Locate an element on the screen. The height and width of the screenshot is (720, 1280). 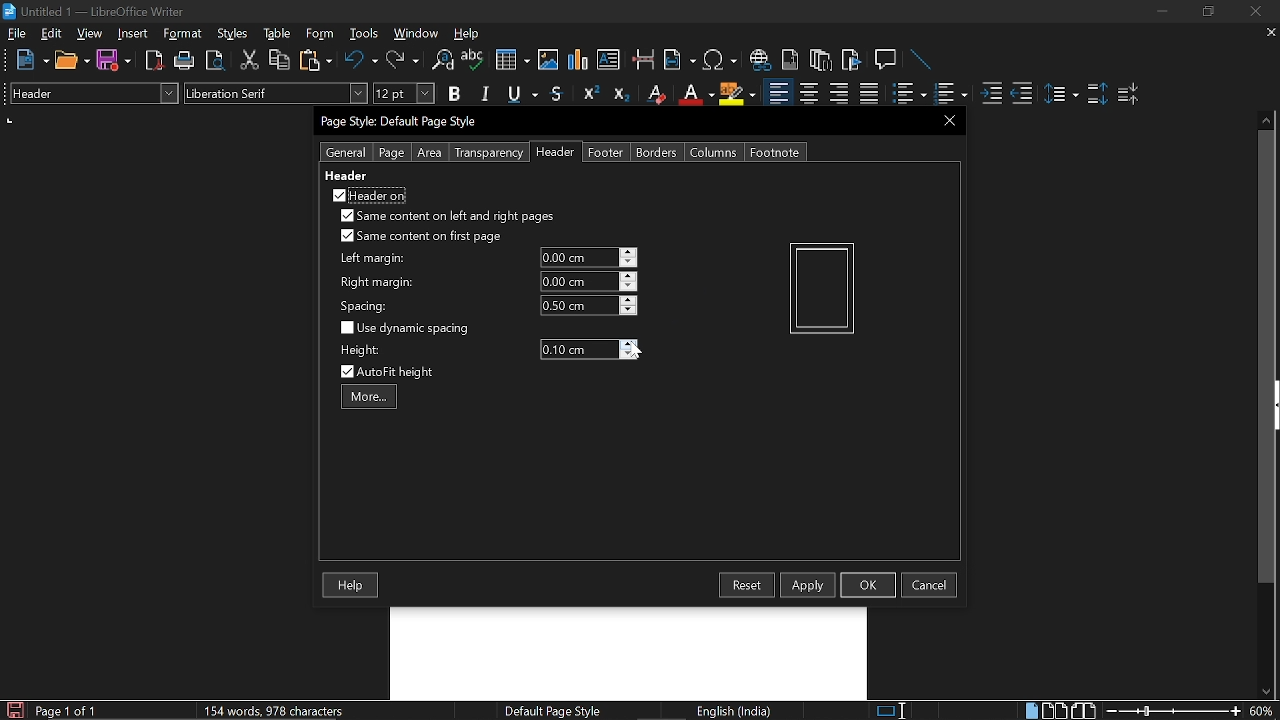
Strike through is located at coordinates (557, 93).